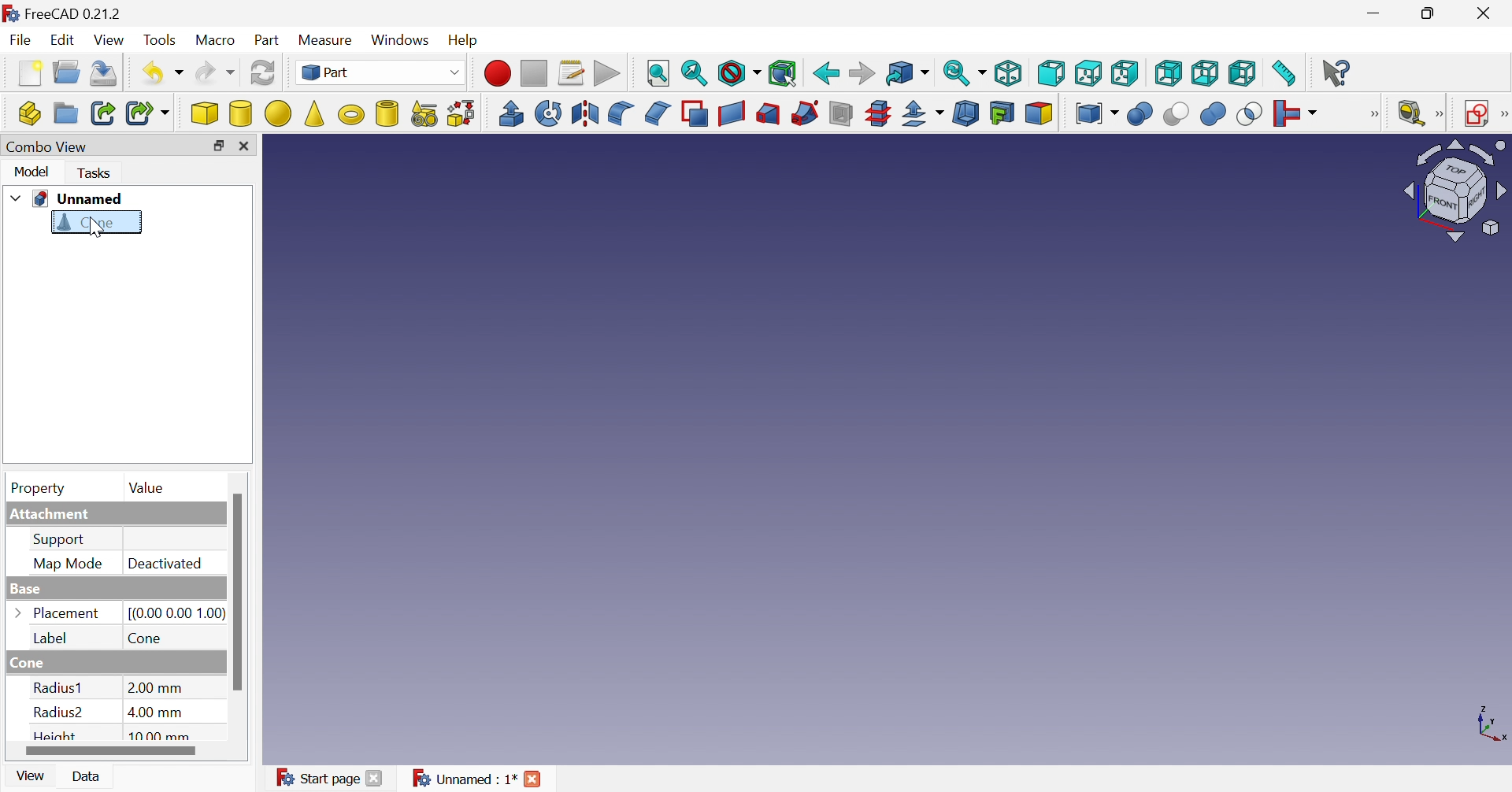 This screenshot has width=1512, height=792. What do you see at coordinates (103, 113) in the screenshot?
I see `Make link` at bounding box center [103, 113].